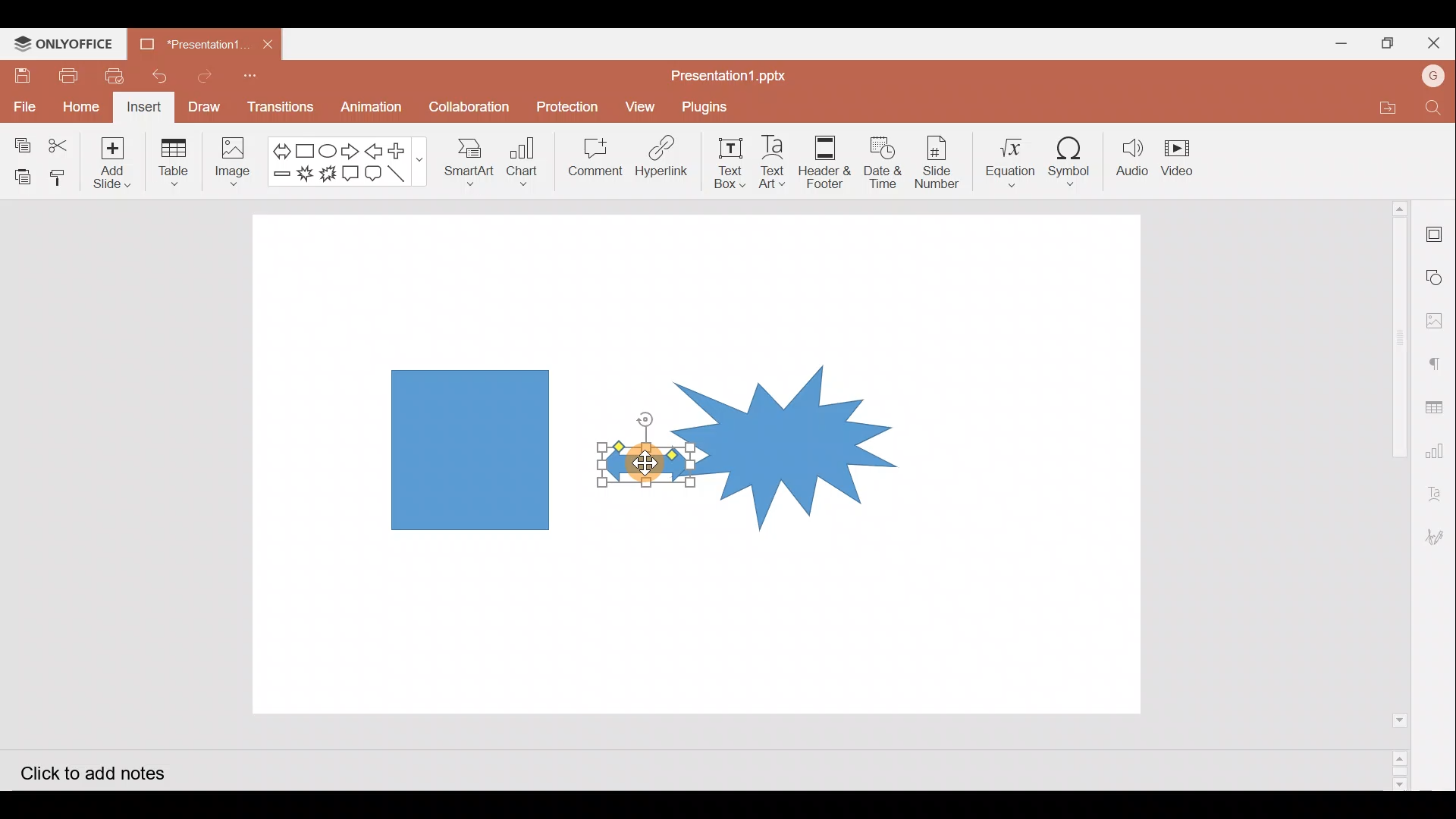 The image size is (1456, 819). What do you see at coordinates (1006, 160) in the screenshot?
I see `Equation` at bounding box center [1006, 160].